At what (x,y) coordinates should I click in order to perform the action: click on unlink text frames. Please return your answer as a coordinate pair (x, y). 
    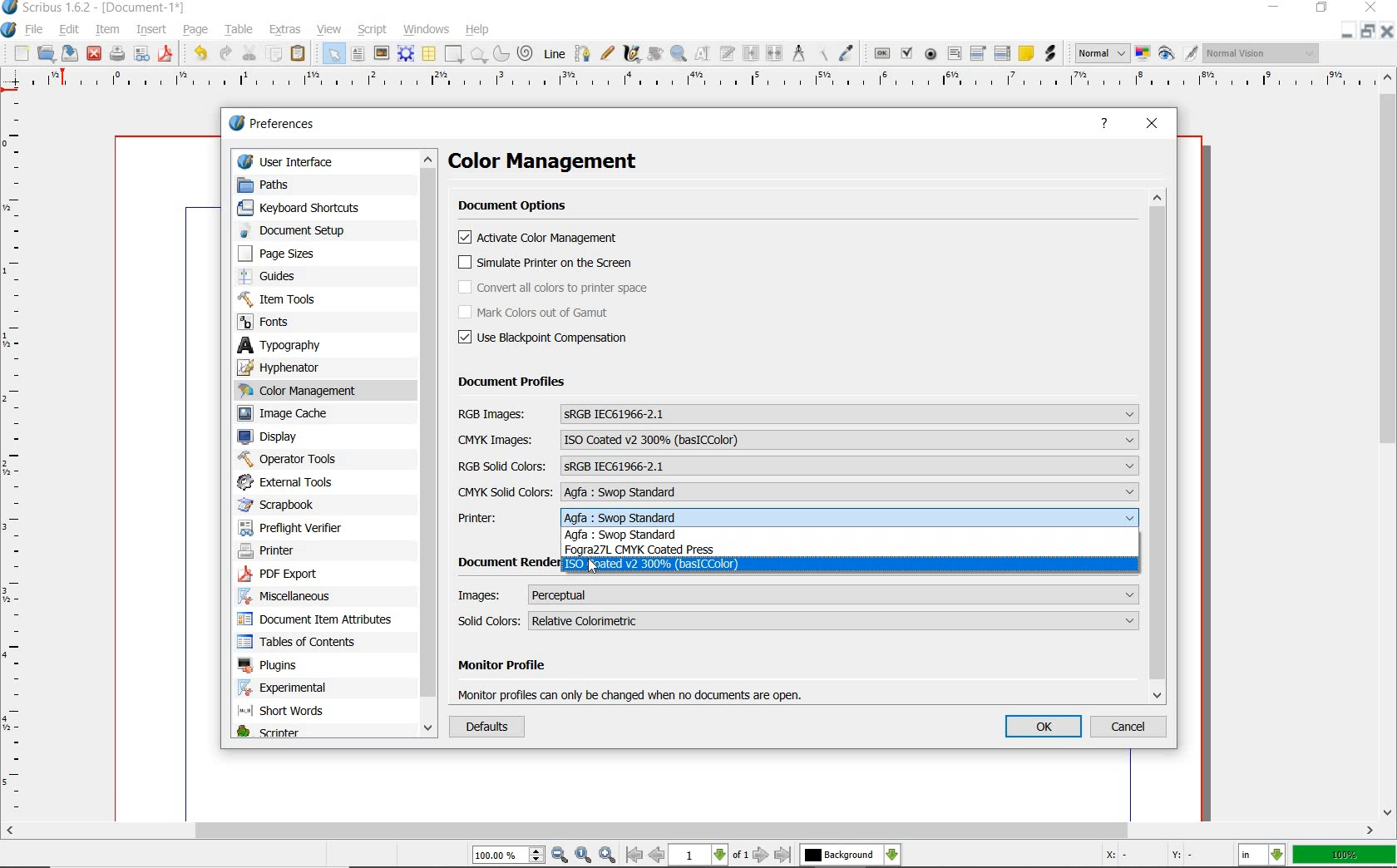
    Looking at the image, I should click on (773, 55).